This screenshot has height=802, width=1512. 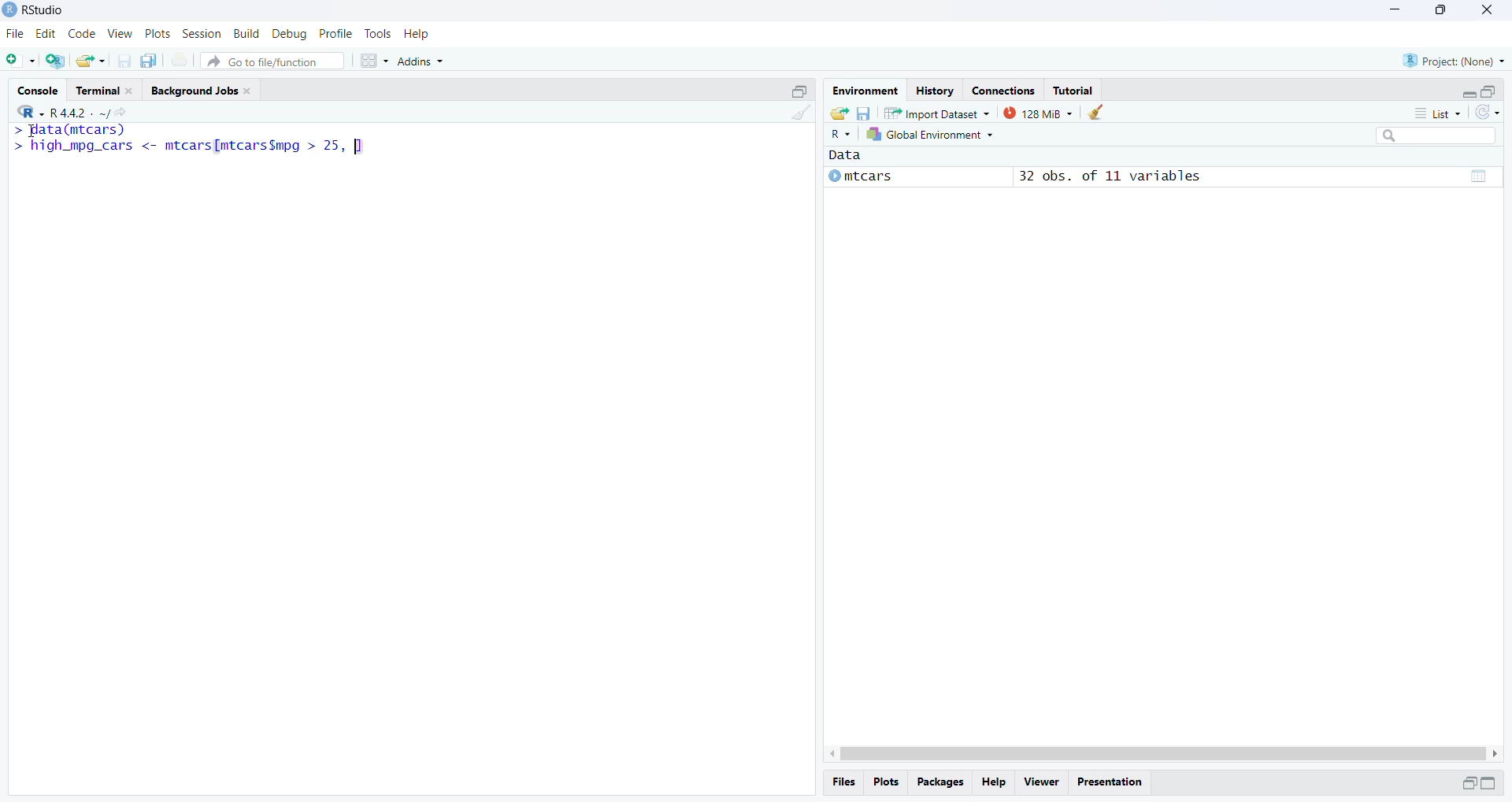 I want to click on Connections, so click(x=1004, y=89).